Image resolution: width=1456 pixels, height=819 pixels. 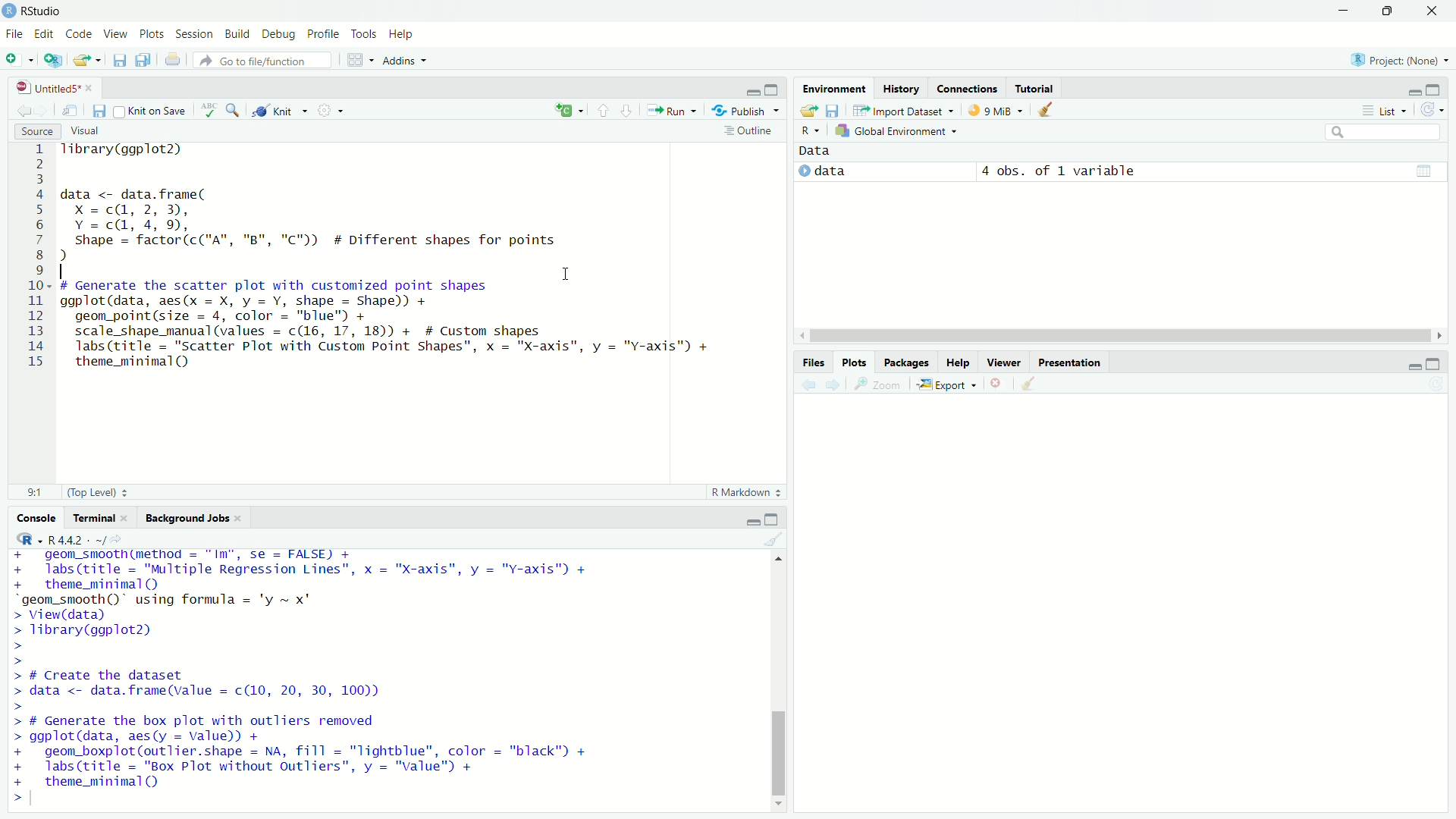 What do you see at coordinates (151, 110) in the screenshot?
I see `Knit on Save` at bounding box center [151, 110].